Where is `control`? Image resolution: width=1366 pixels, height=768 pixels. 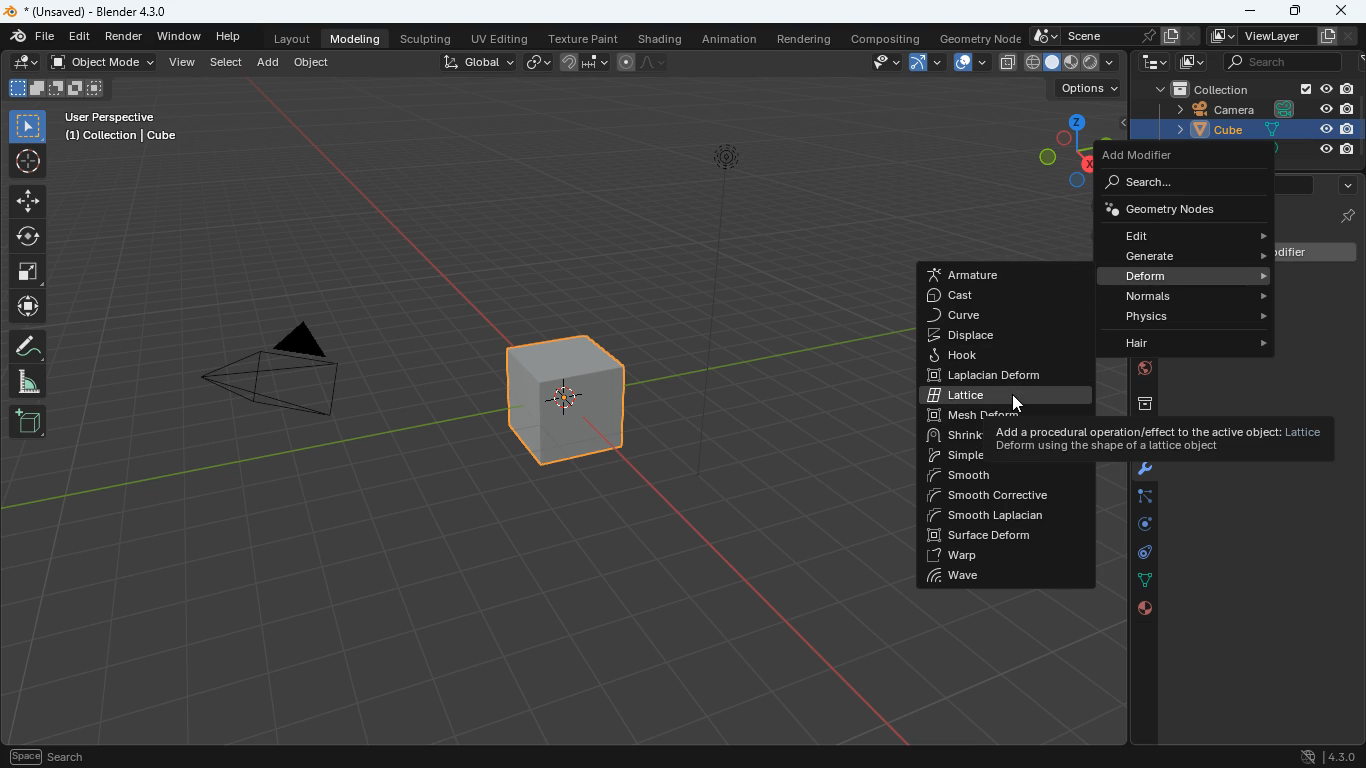 control is located at coordinates (1140, 555).